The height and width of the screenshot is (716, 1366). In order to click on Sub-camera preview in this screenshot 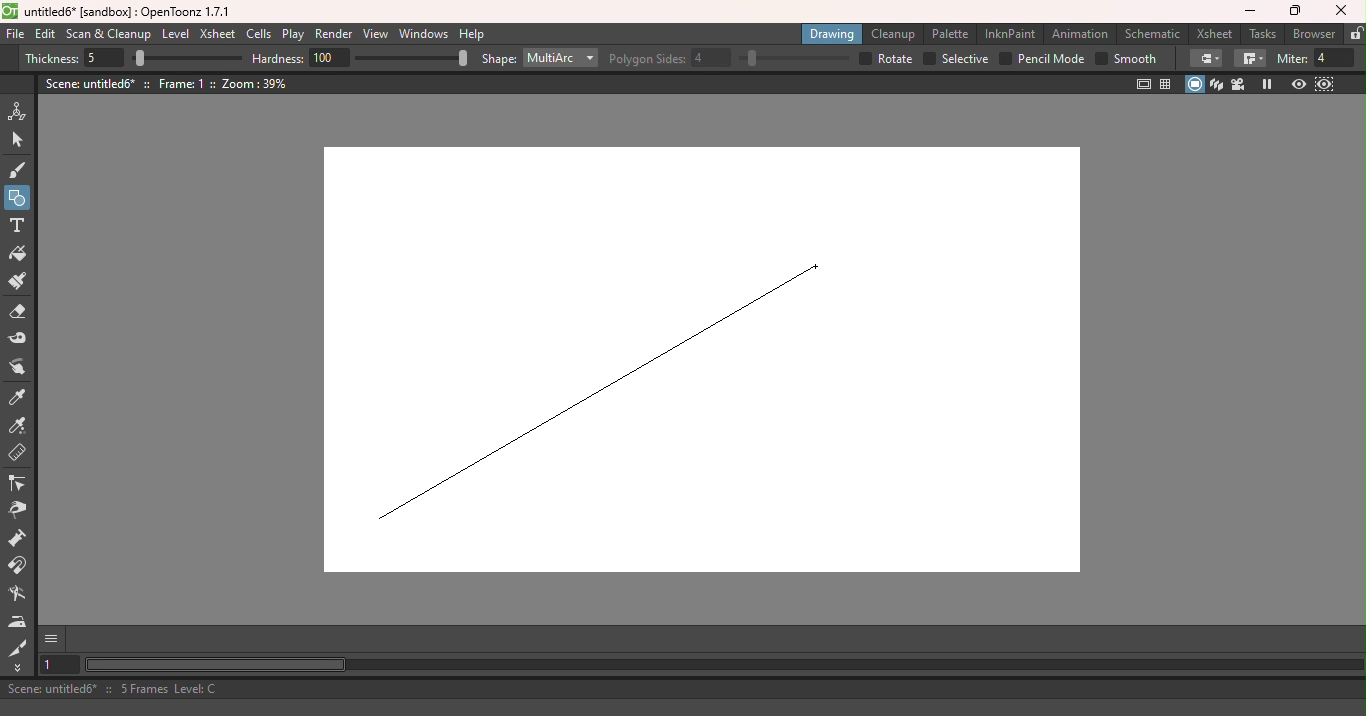, I will do `click(1324, 85)`.